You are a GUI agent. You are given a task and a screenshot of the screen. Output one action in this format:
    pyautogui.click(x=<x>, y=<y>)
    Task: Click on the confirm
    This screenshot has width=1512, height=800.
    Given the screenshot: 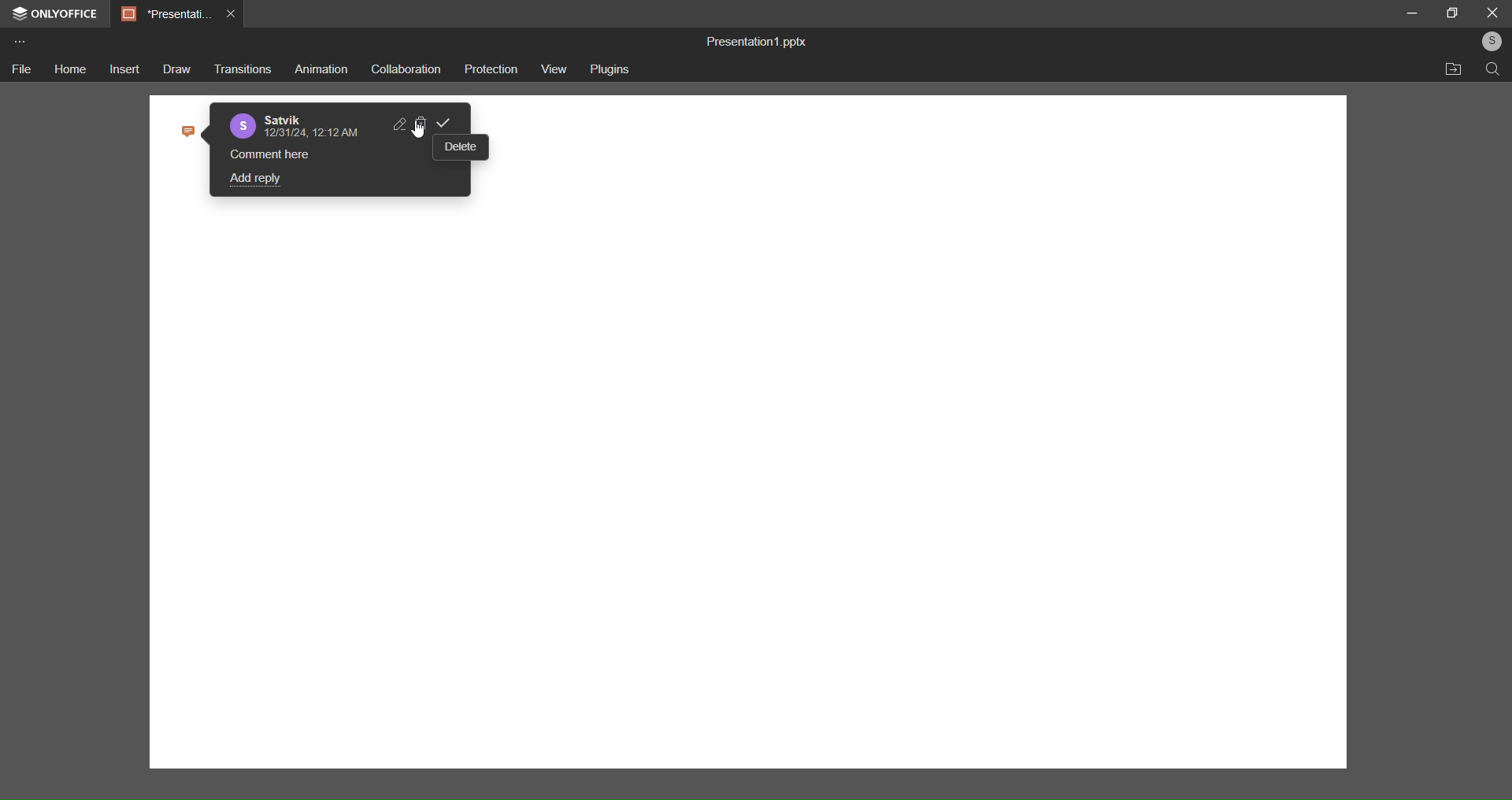 What is the action you would take?
    pyautogui.click(x=446, y=123)
    